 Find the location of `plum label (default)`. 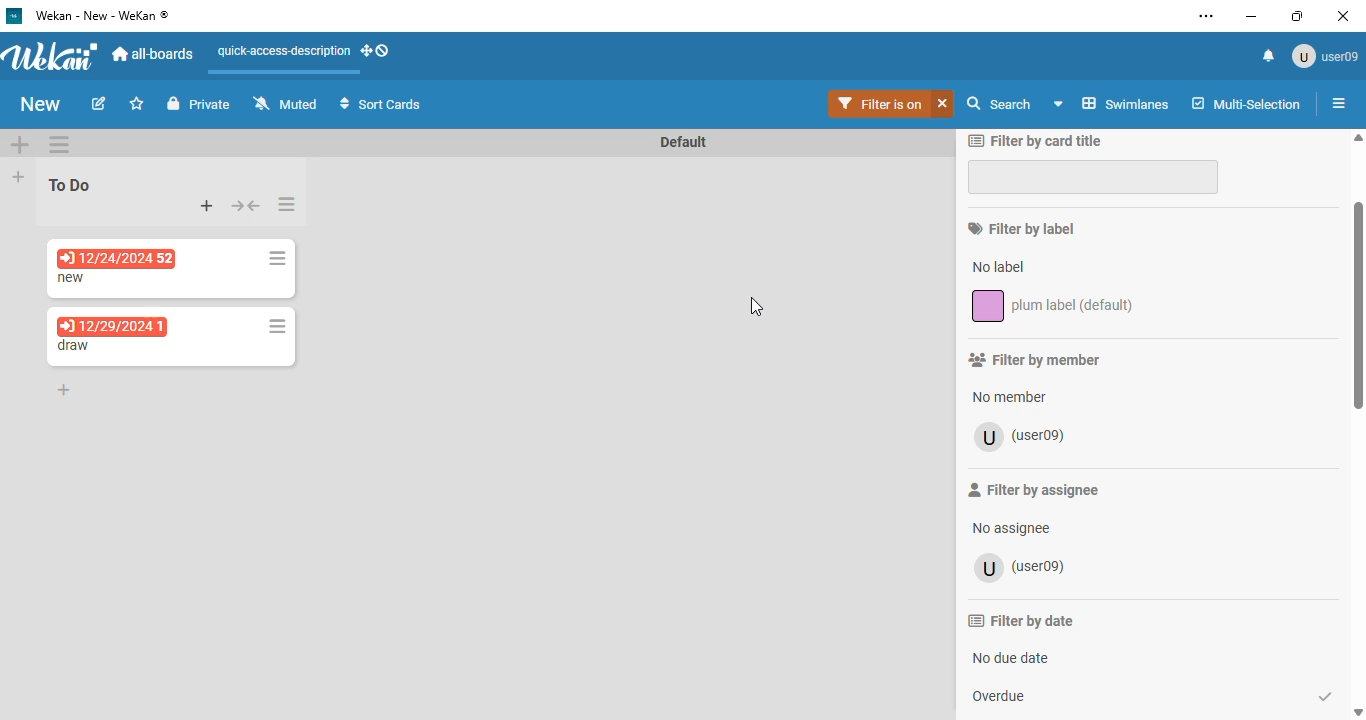

plum label (default) is located at coordinates (1055, 306).